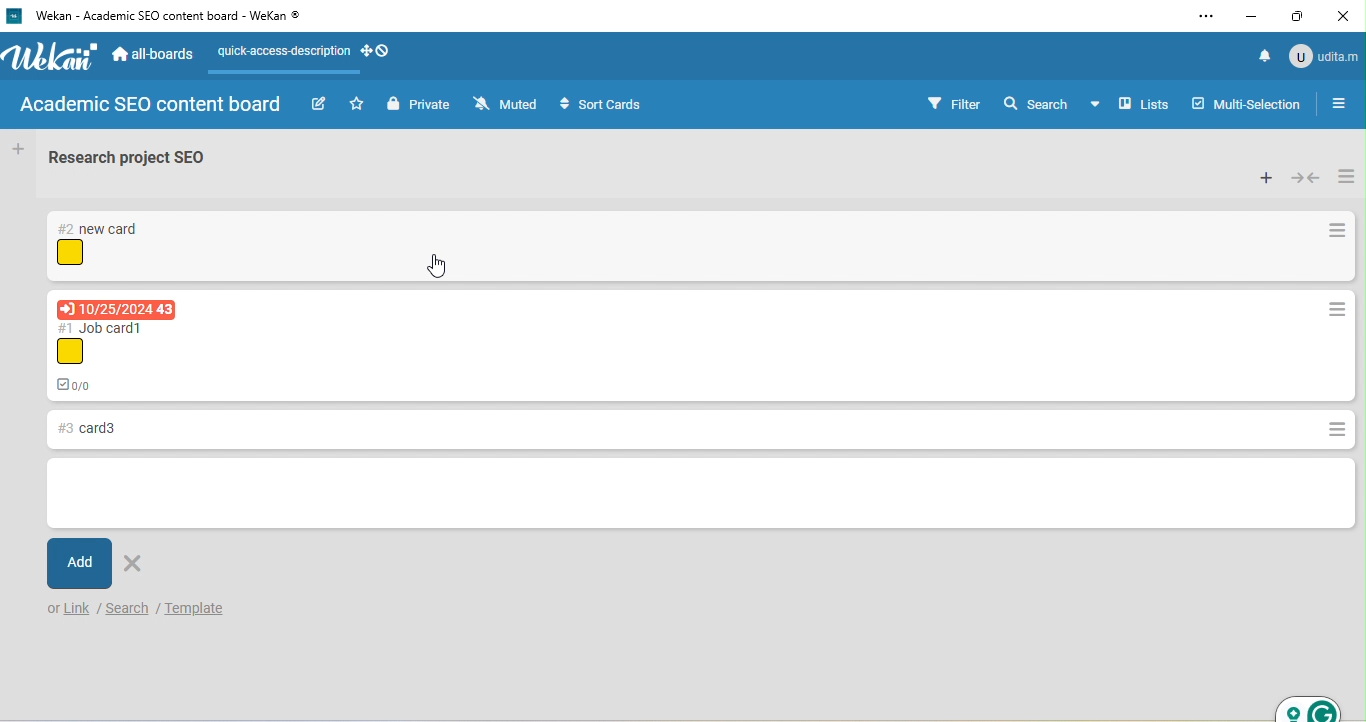 The height and width of the screenshot is (722, 1366). What do you see at coordinates (79, 610) in the screenshot?
I see `link` at bounding box center [79, 610].